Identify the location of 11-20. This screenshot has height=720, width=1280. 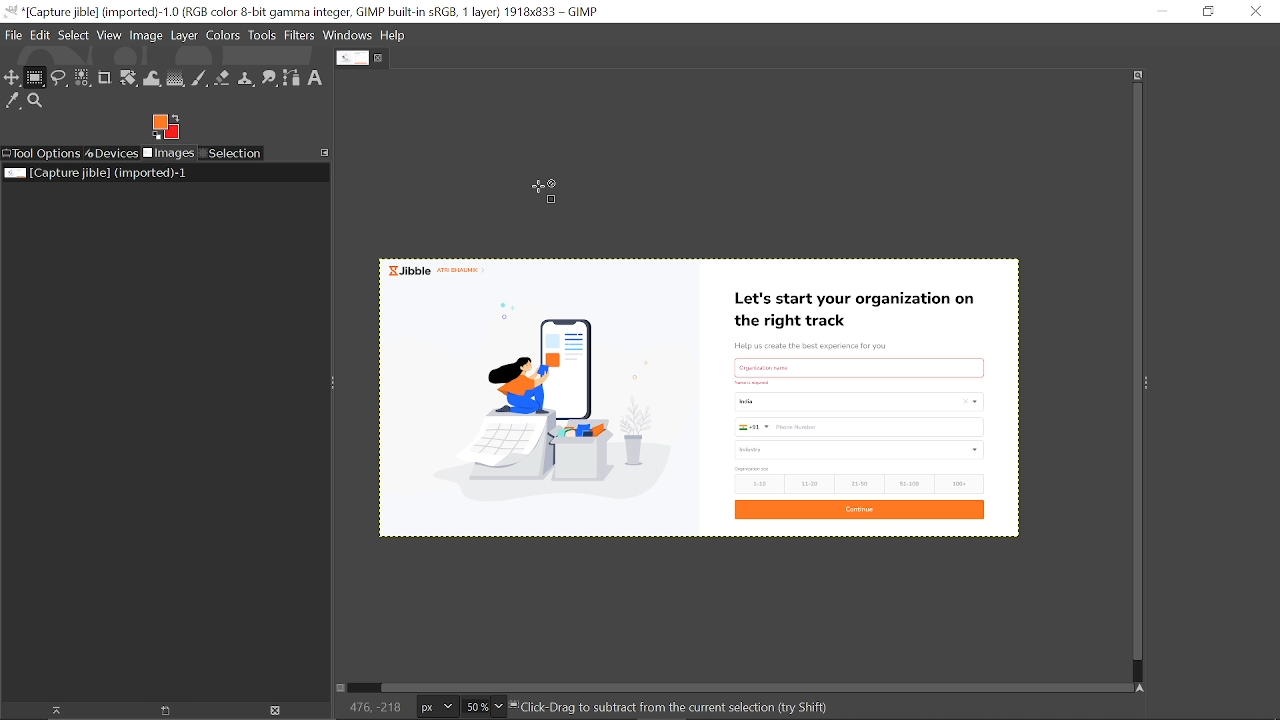
(808, 484).